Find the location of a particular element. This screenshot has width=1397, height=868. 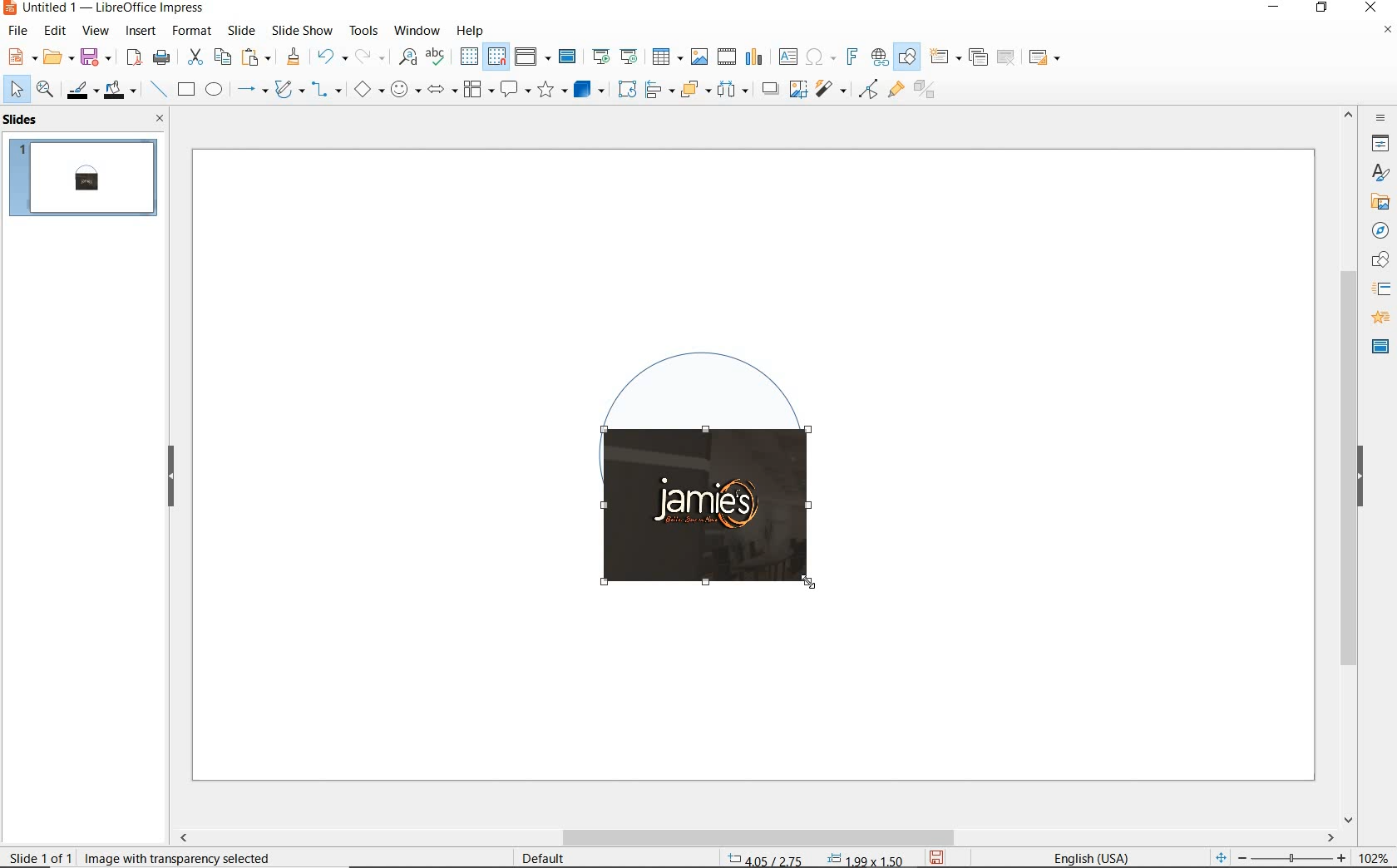

insert hyperlink is located at coordinates (880, 57).